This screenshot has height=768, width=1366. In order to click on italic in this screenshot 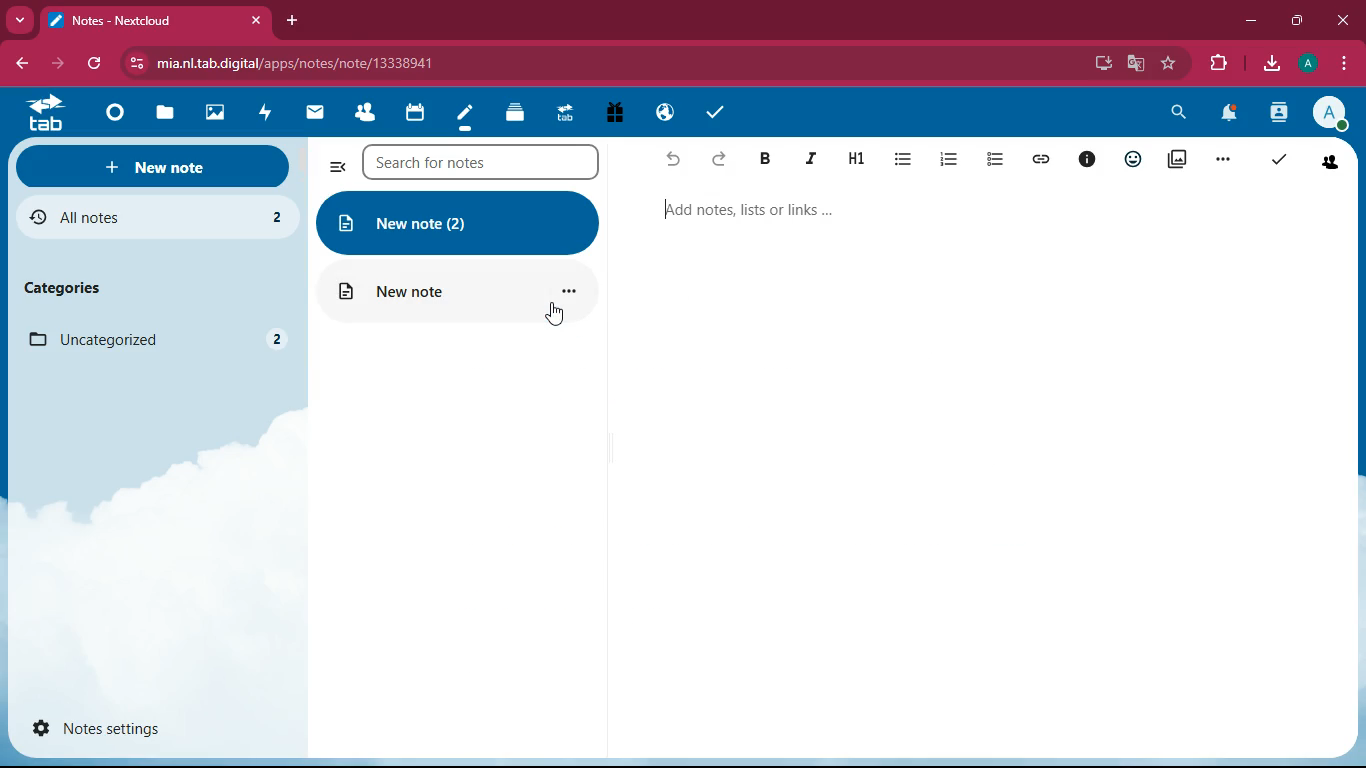, I will do `click(814, 159)`.